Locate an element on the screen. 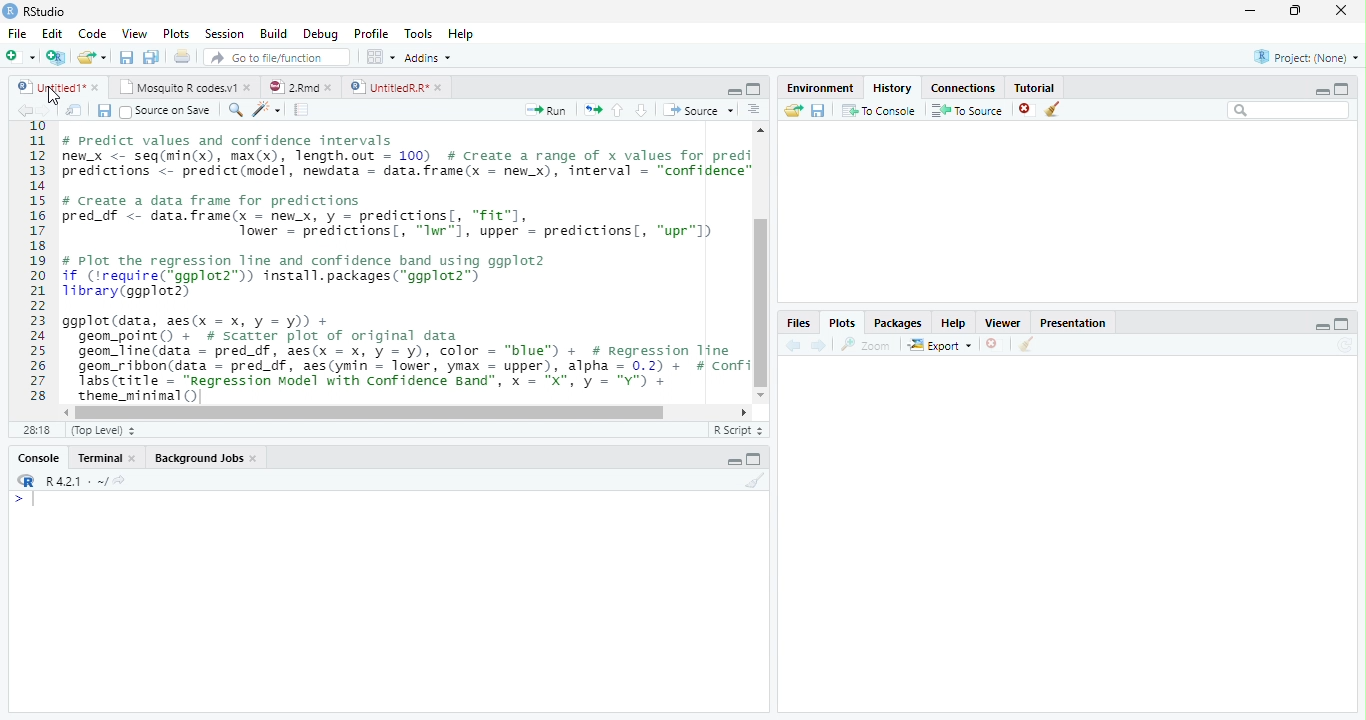 The width and height of the screenshot is (1366, 720). Maximize is located at coordinates (755, 459).